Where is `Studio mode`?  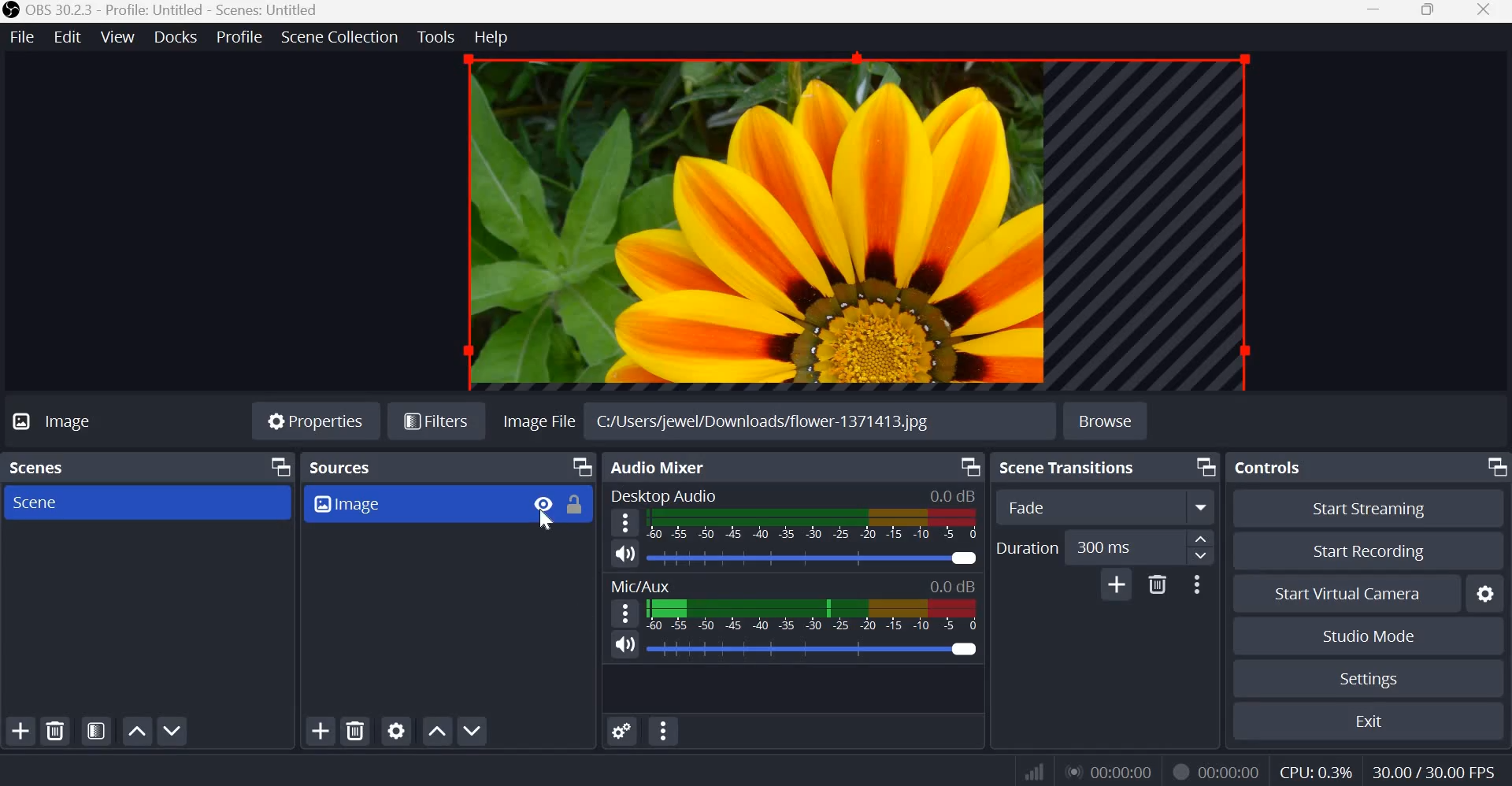
Studio mode is located at coordinates (1371, 636).